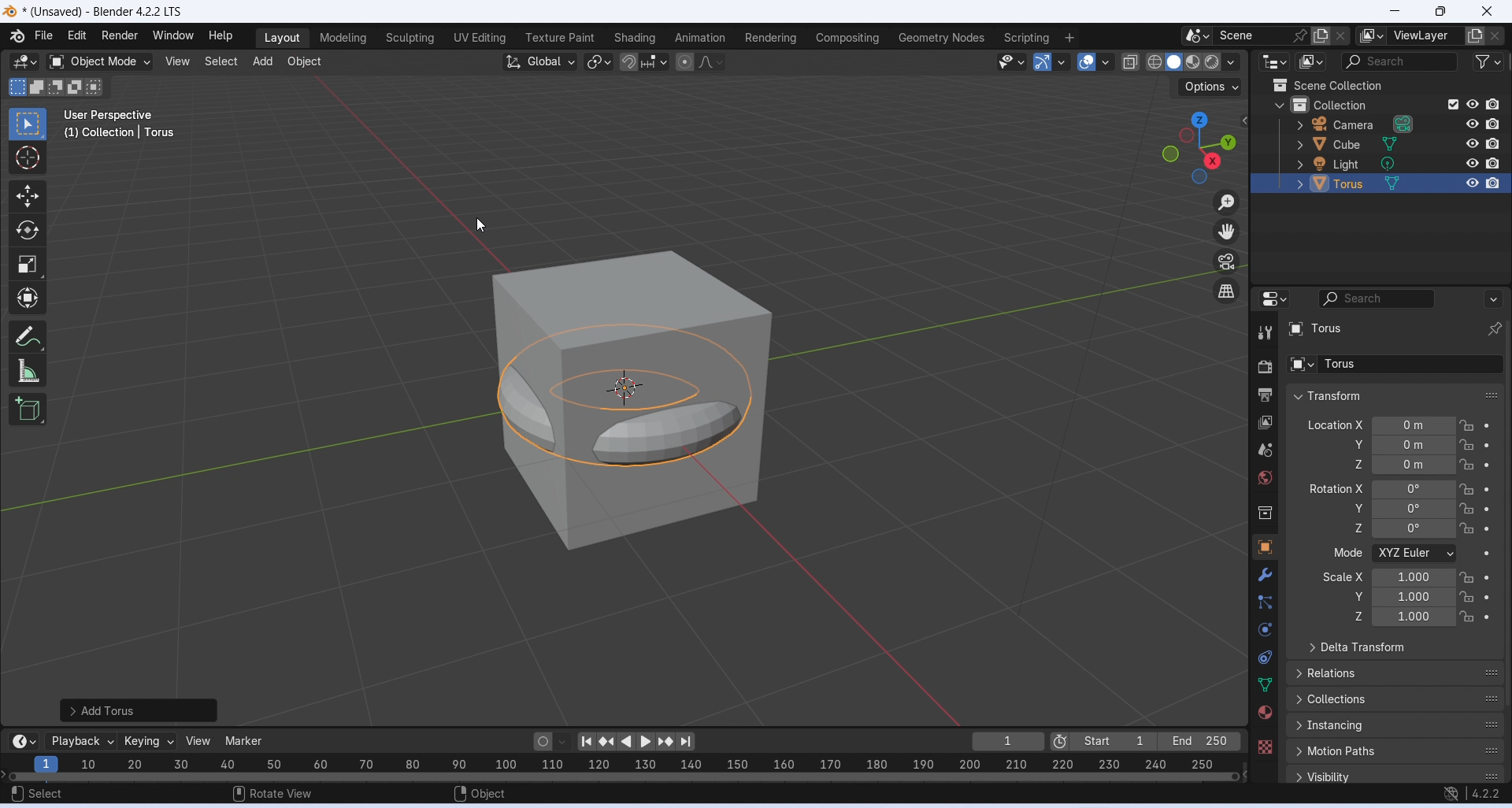 The width and height of the screenshot is (1512, 808). Describe the element at coordinates (1432, 488) in the screenshot. I see `Rotation` at that location.